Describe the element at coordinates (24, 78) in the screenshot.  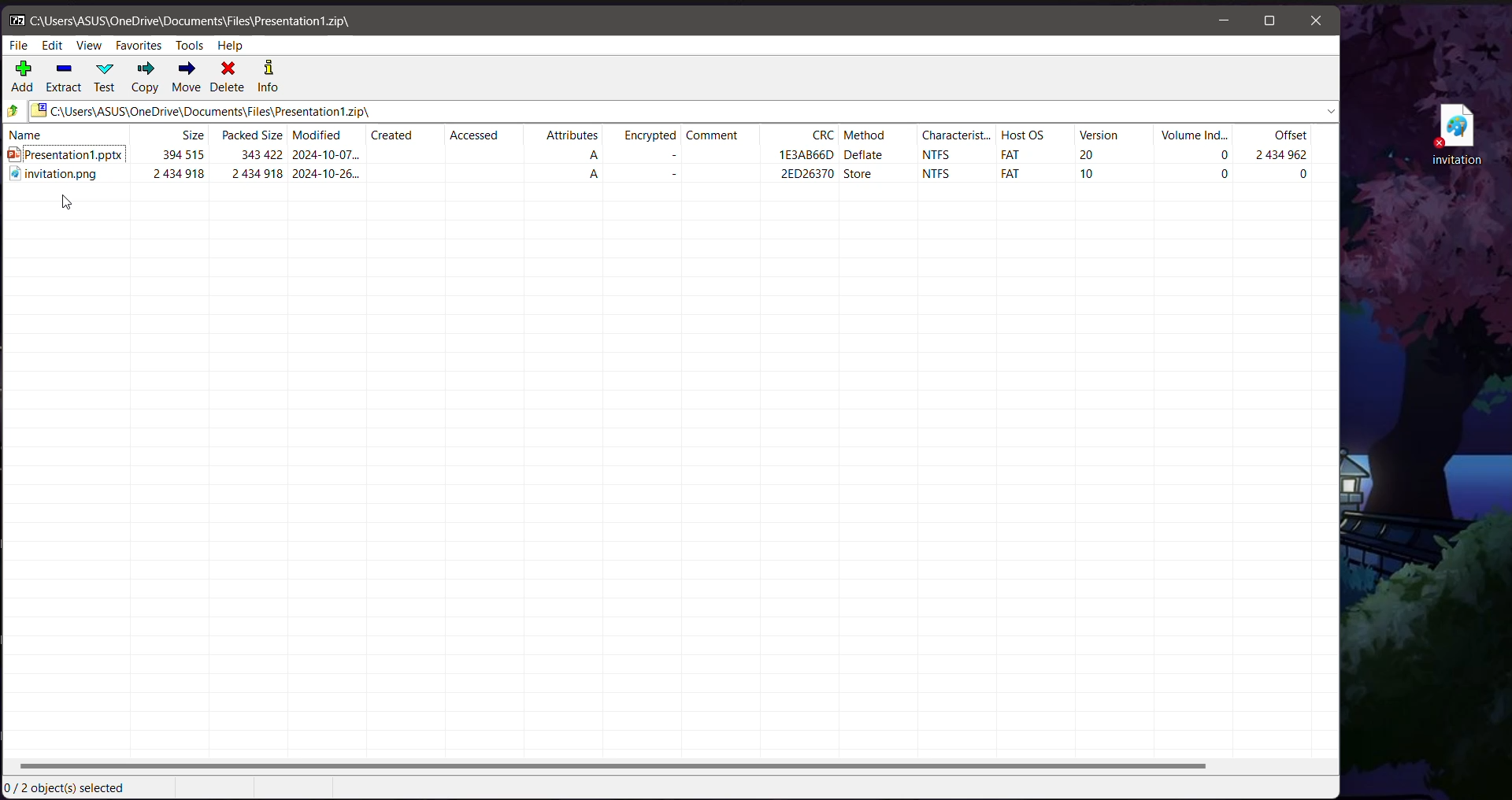
I see `Add` at that location.